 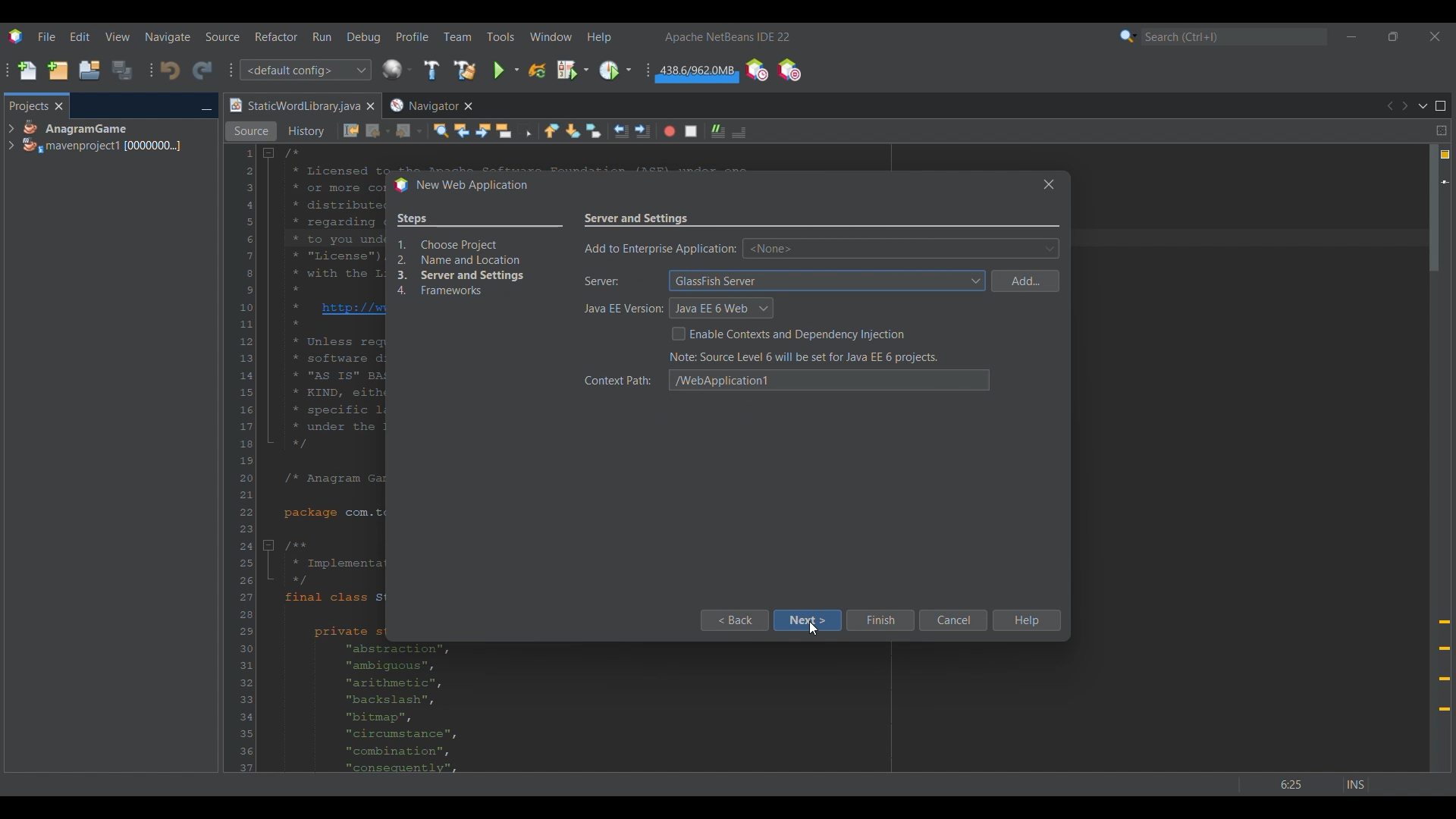 What do you see at coordinates (805, 357) in the screenshot?
I see `Setting description` at bounding box center [805, 357].